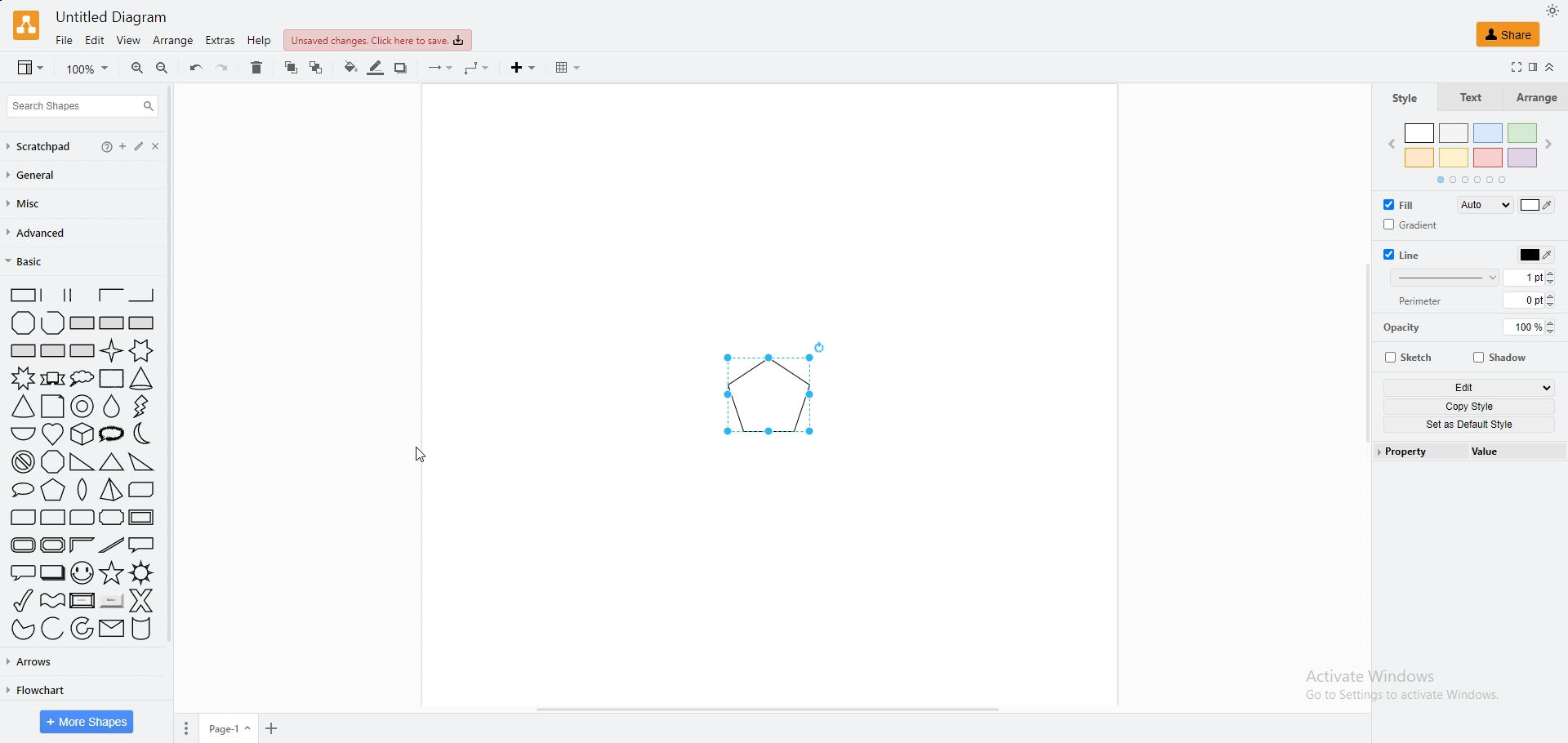 The height and width of the screenshot is (743, 1568). Describe the element at coordinates (1403, 100) in the screenshot. I see `style` at that location.